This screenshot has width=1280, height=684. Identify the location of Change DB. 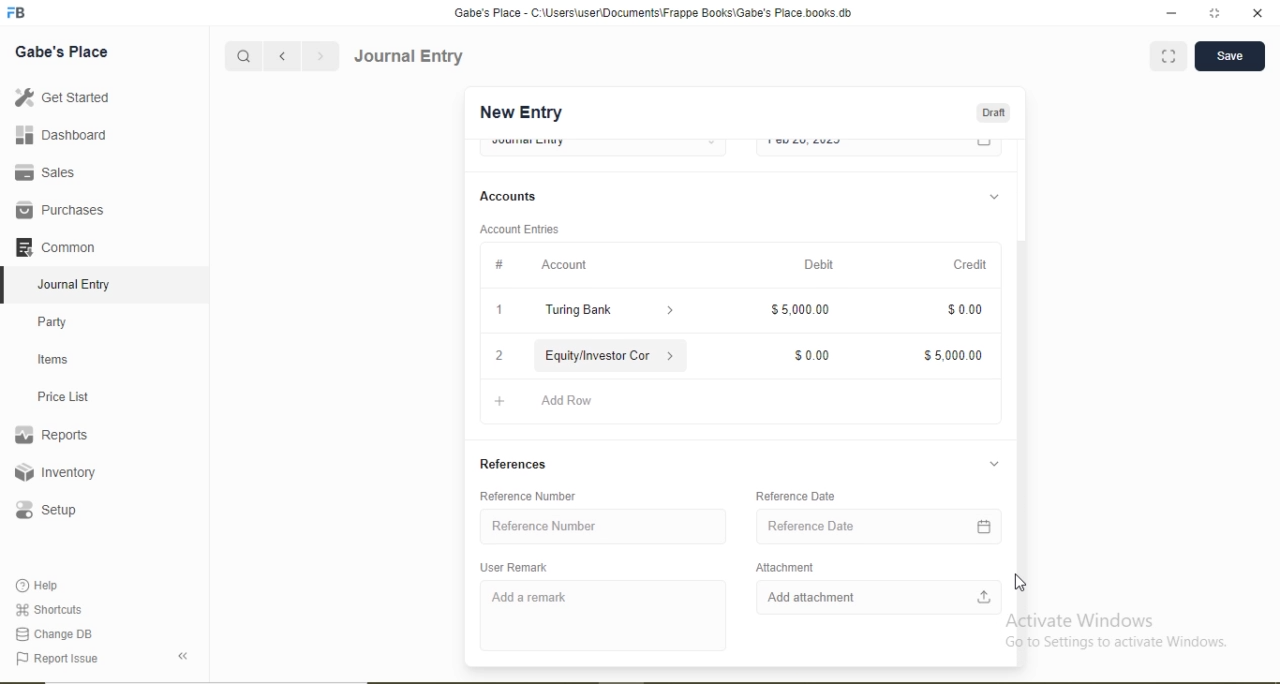
(52, 635).